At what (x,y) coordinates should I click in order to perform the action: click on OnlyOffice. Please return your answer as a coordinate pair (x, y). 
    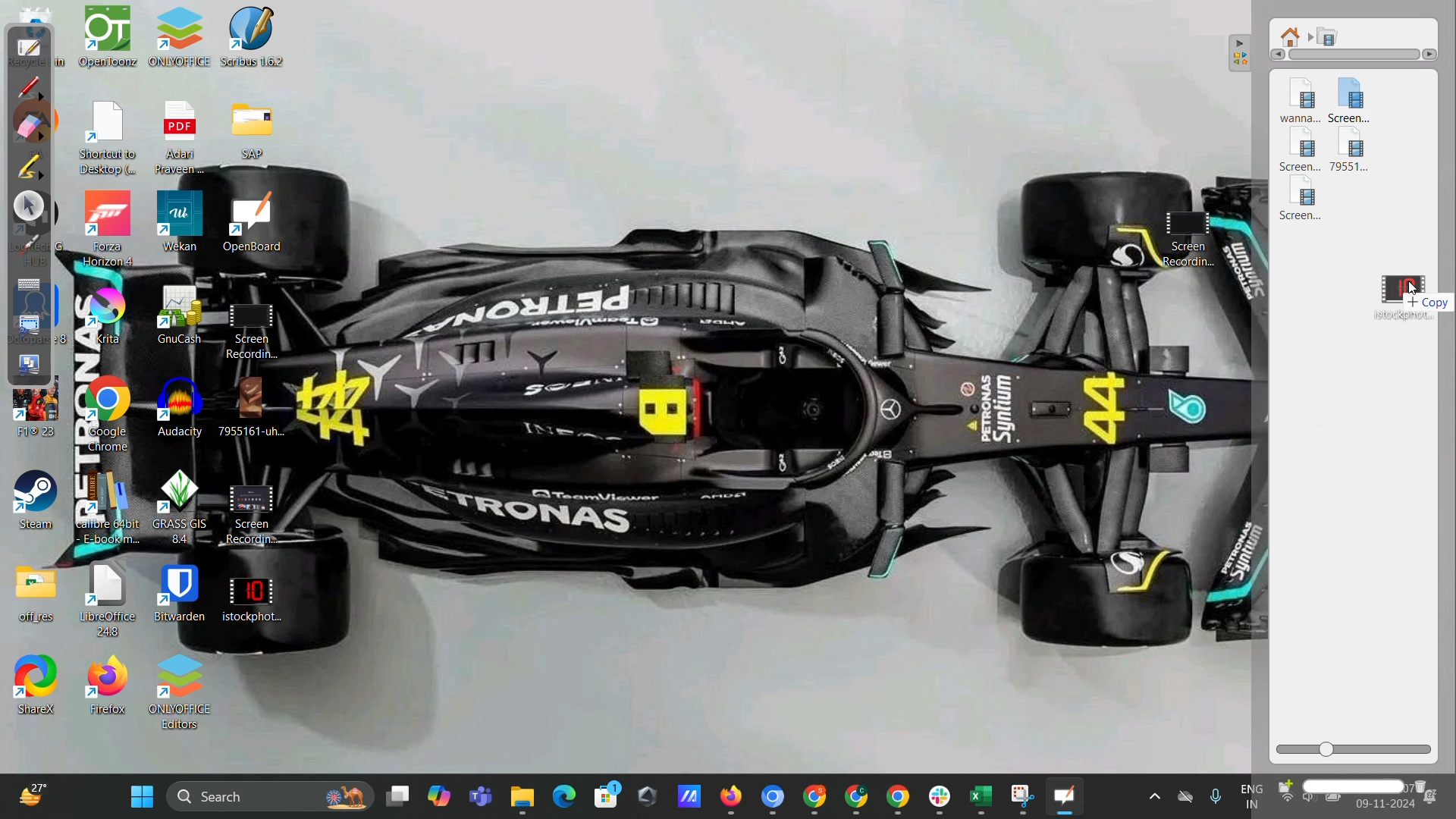
    Looking at the image, I should click on (183, 41).